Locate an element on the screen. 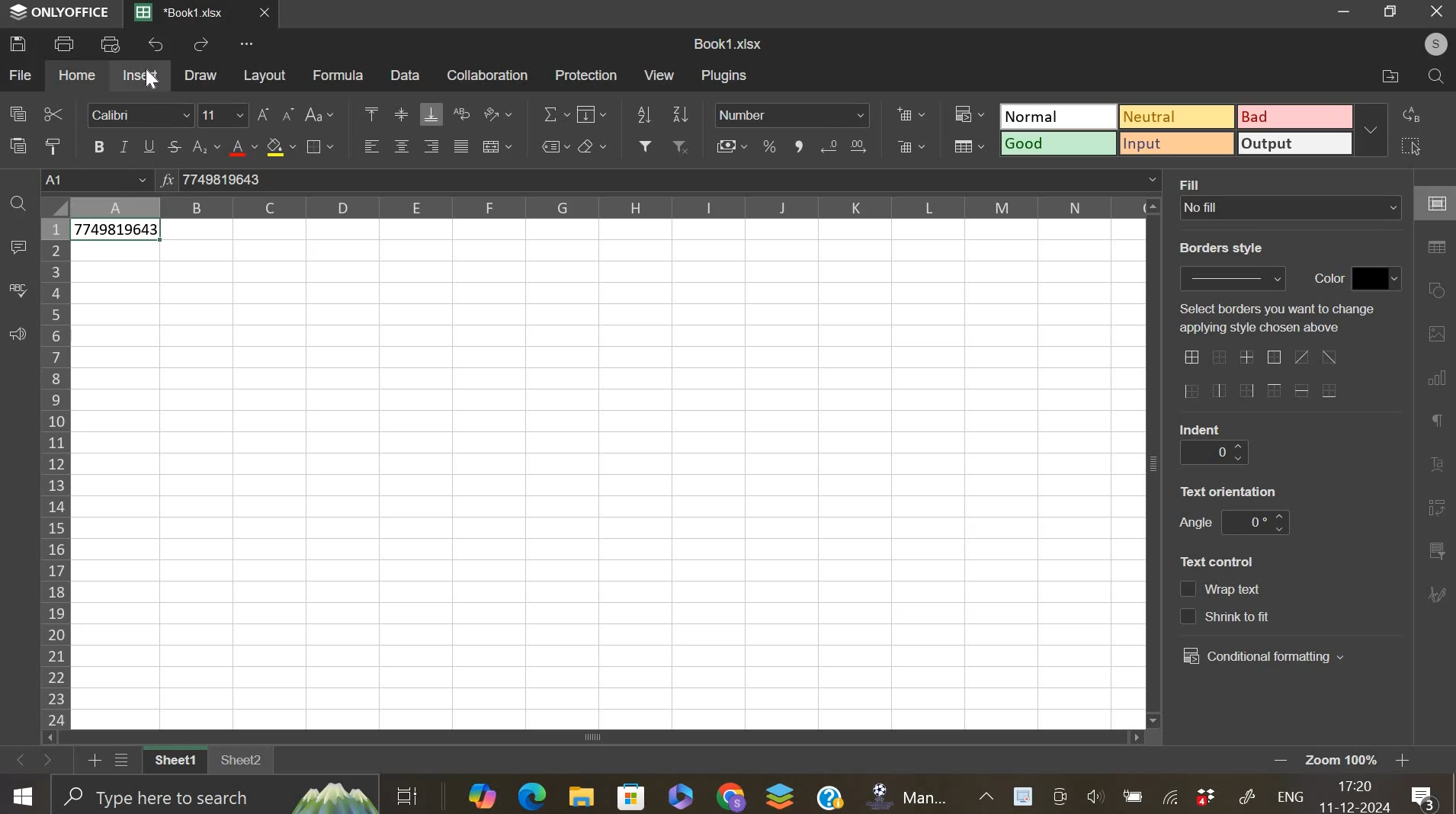 The height and width of the screenshot is (814, 1456). vertical scroll bar is located at coordinates (1155, 460).